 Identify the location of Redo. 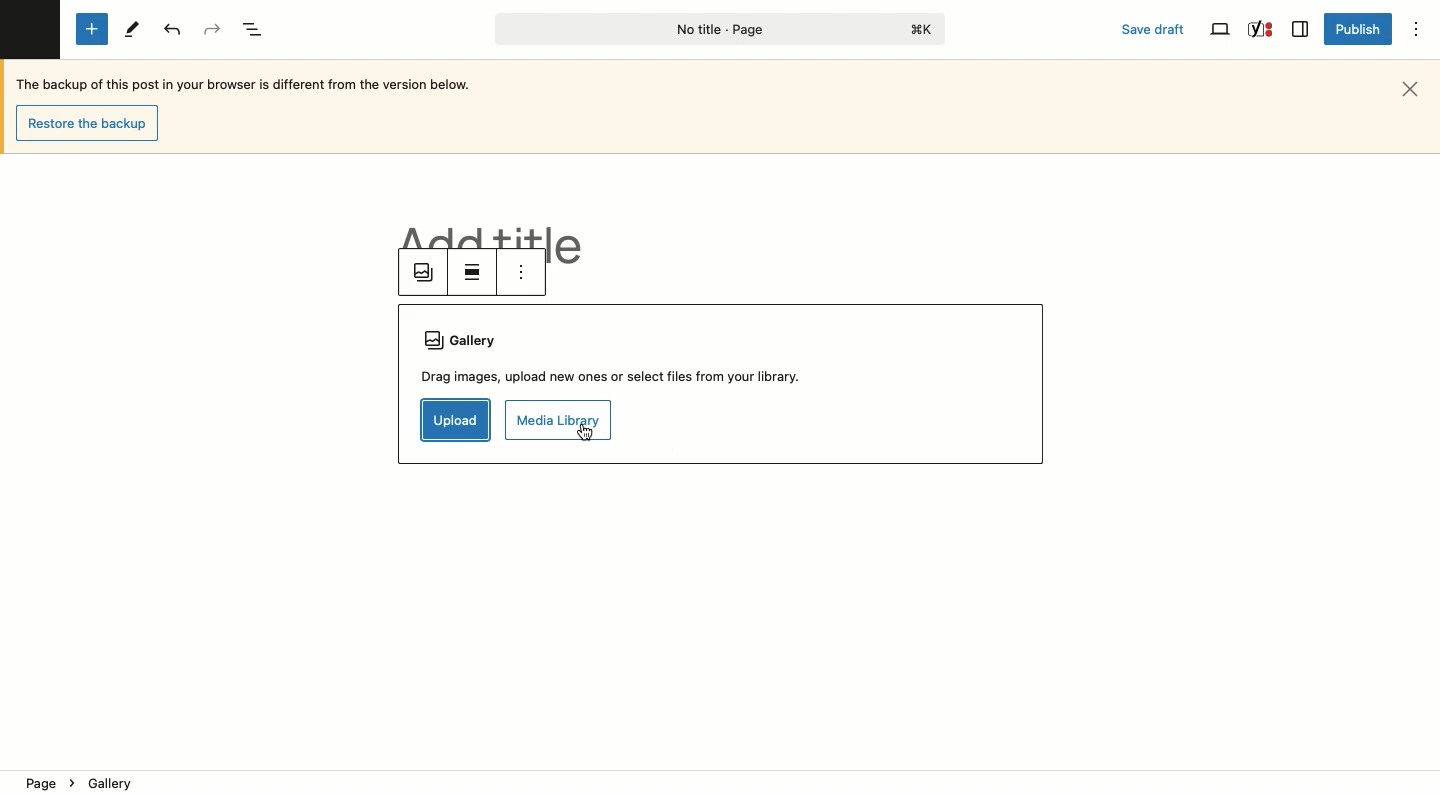
(216, 28).